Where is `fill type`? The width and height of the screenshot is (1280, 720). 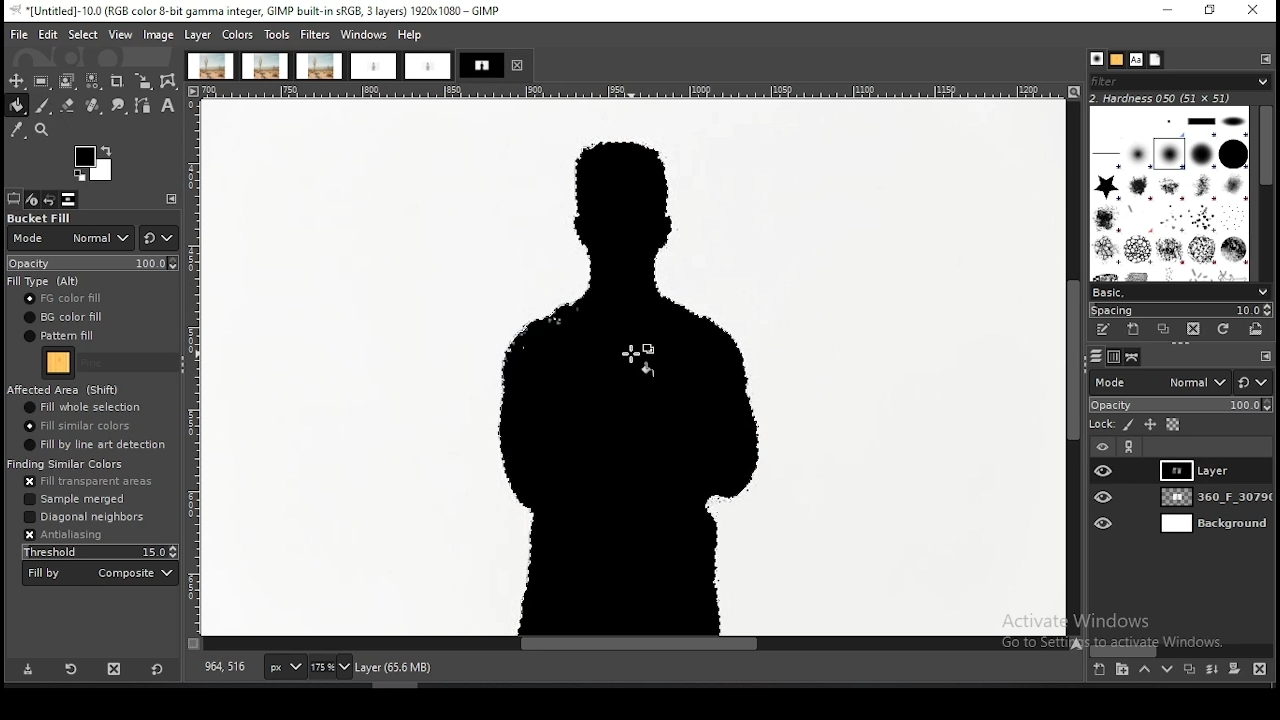 fill type is located at coordinates (45, 281).